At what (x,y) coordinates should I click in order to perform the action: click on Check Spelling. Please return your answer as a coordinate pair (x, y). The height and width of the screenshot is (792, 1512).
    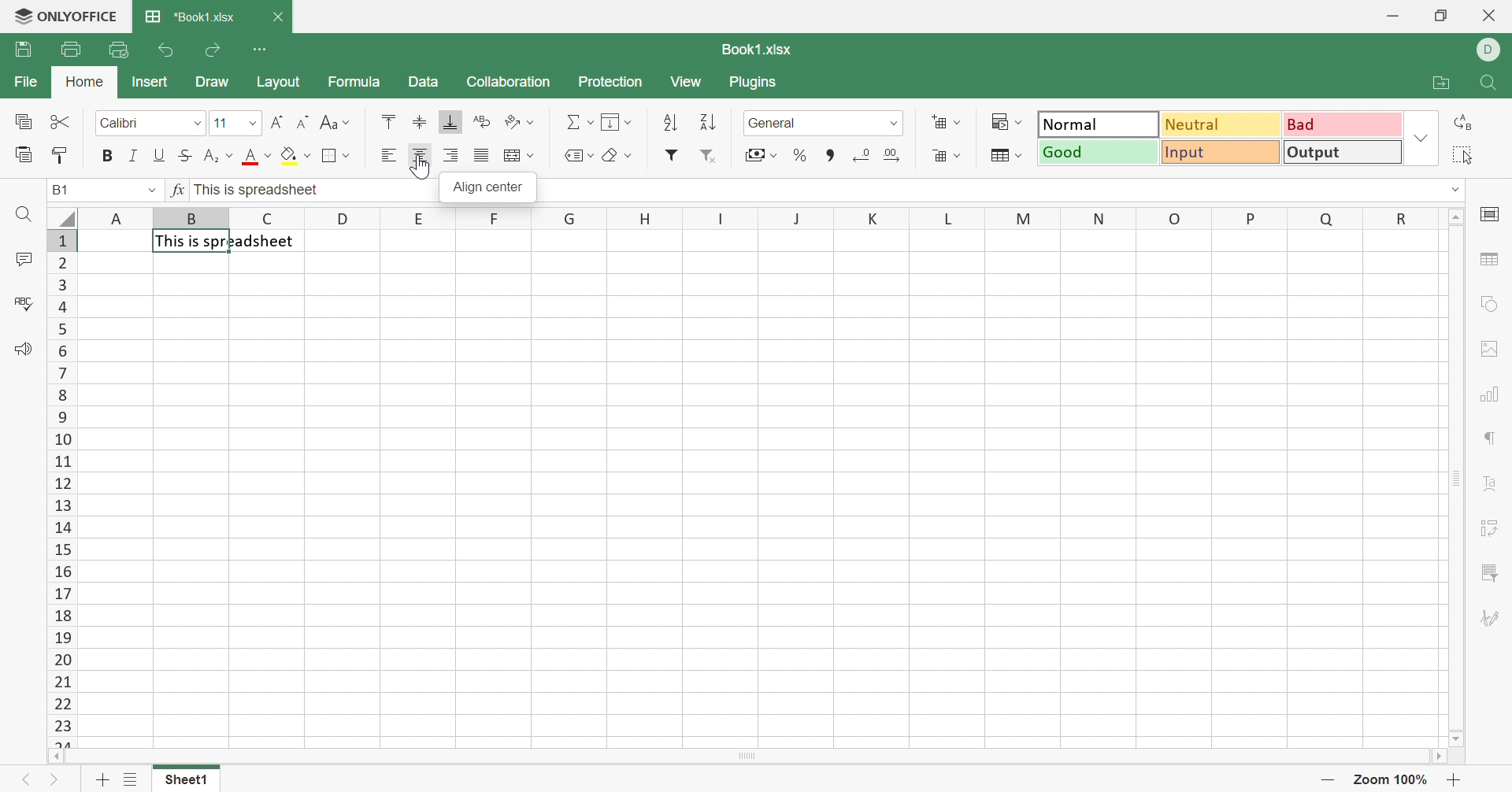
    Looking at the image, I should click on (24, 303).